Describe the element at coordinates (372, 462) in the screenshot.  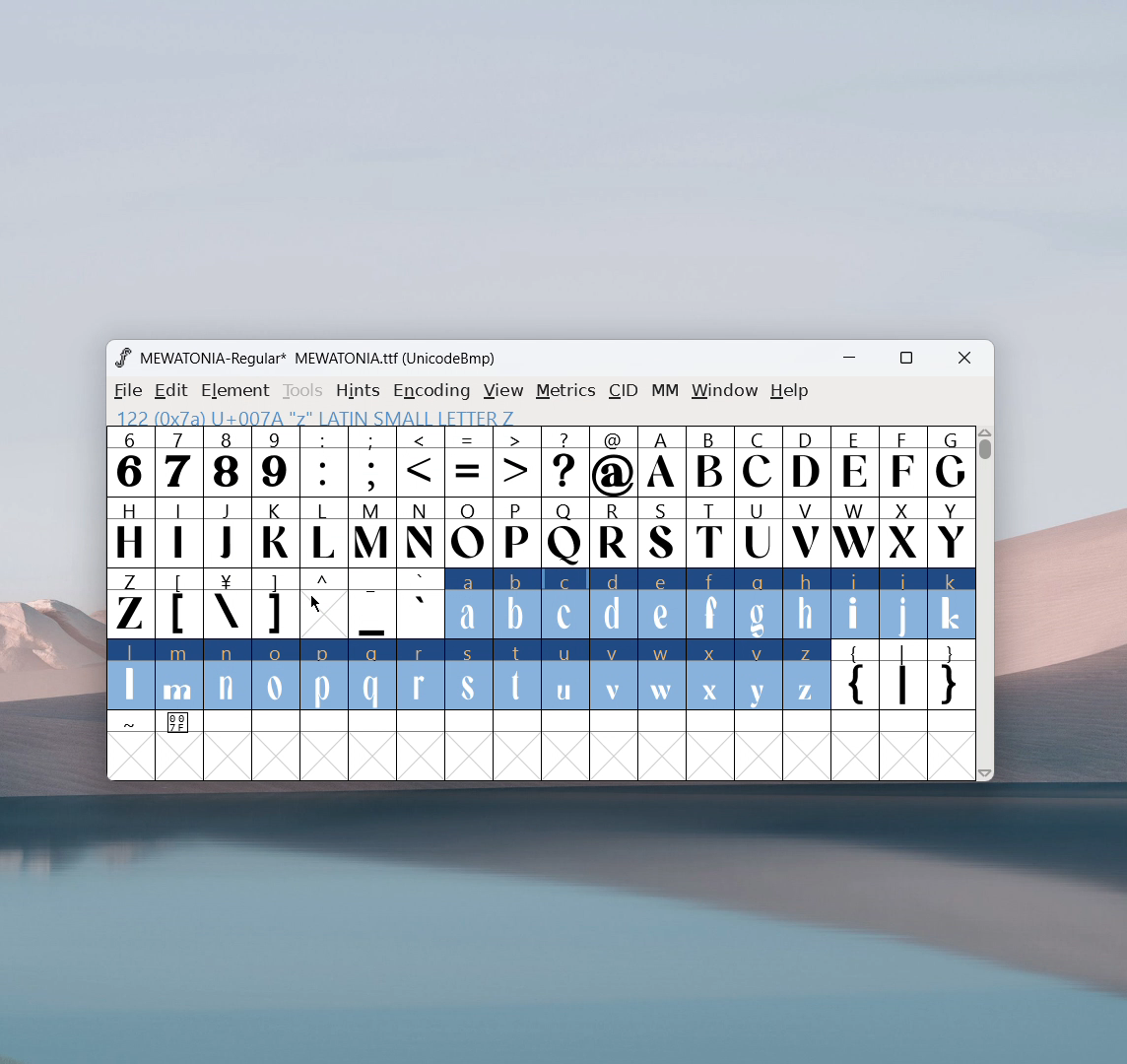
I see `;` at that location.